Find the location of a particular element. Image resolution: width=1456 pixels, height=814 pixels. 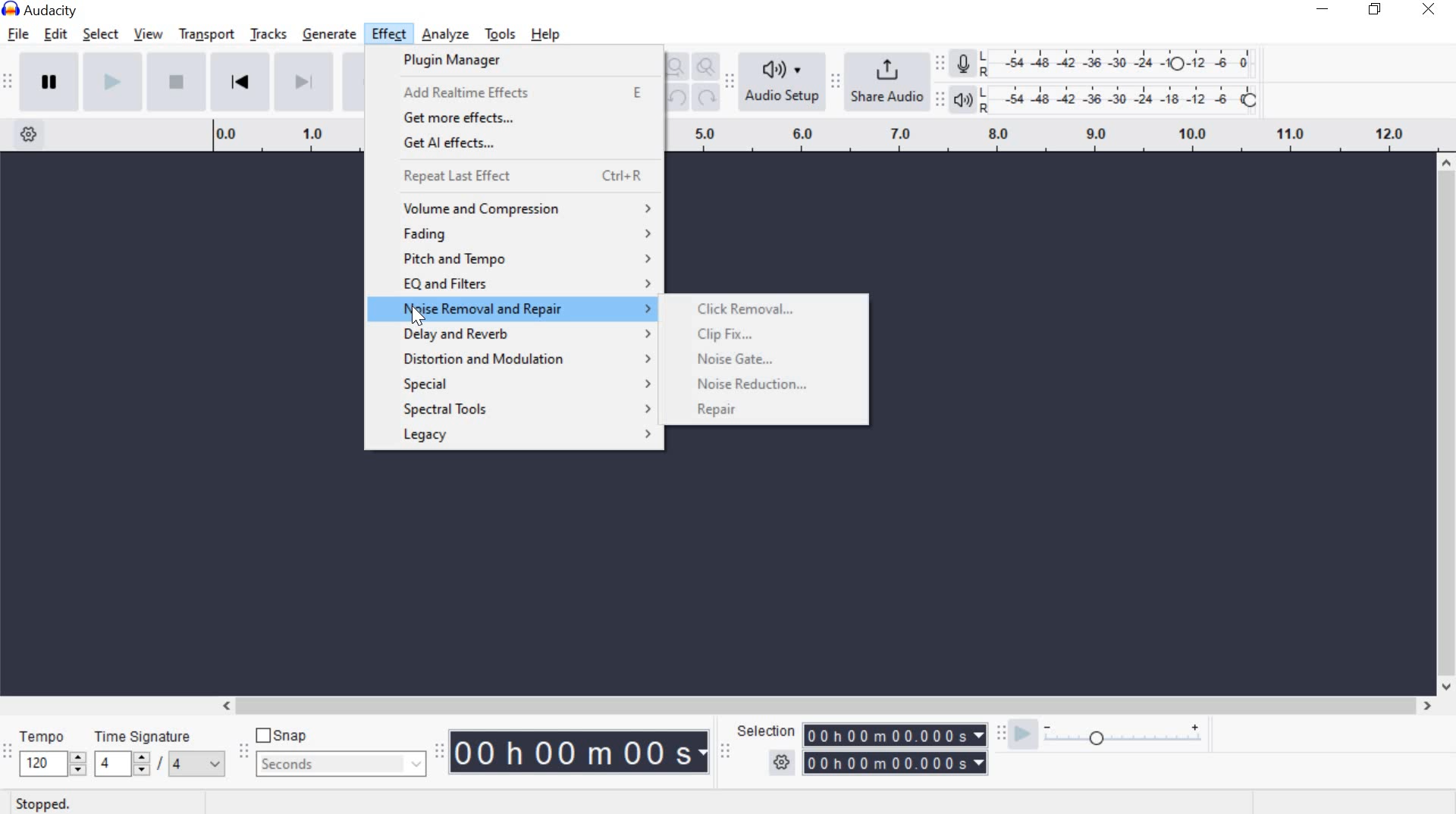

noise gate is located at coordinates (739, 359).